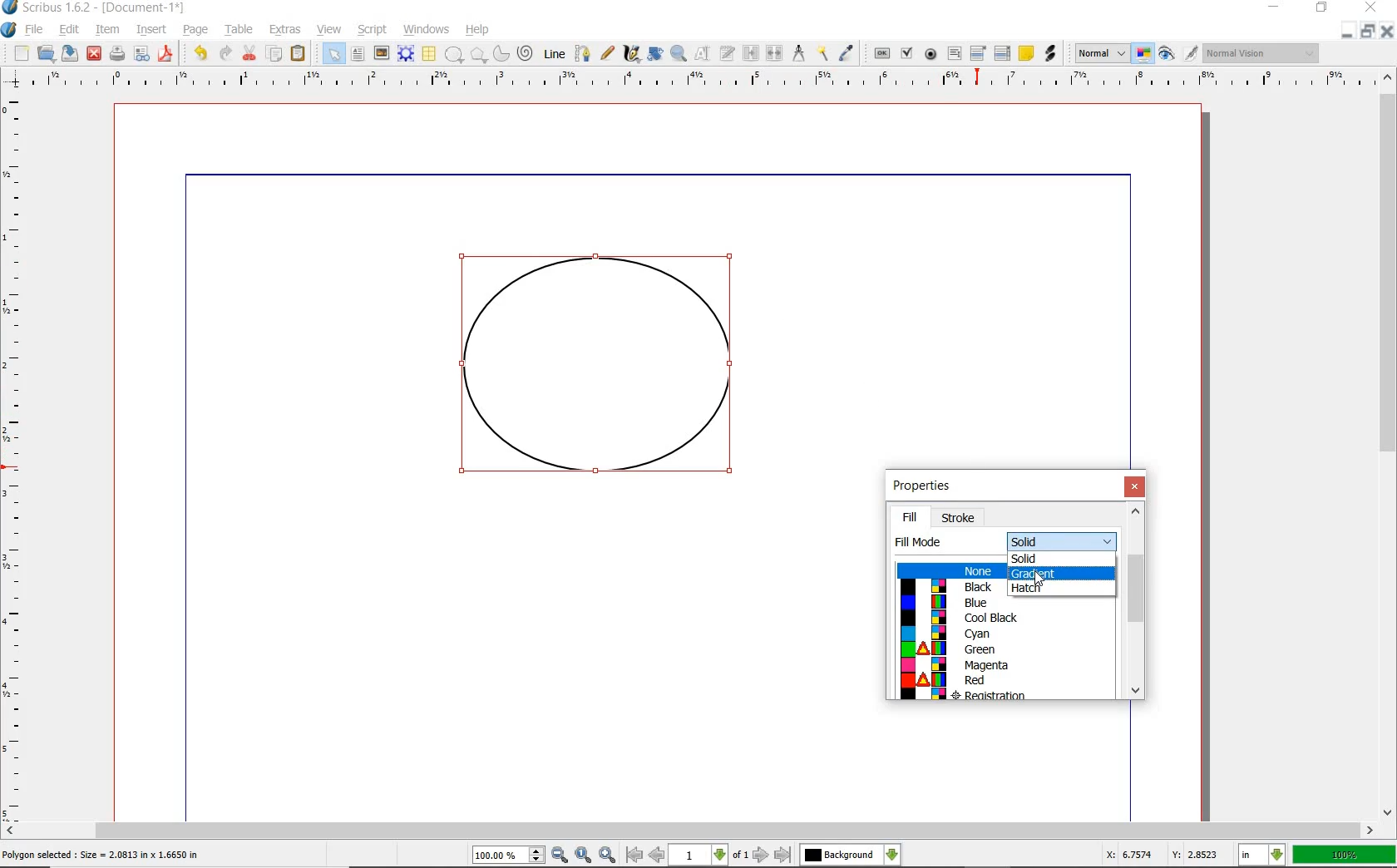  What do you see at coordinates (1369, 7) in the screenshot?
I see `CLOSE` at bounding box center [1369, 7].